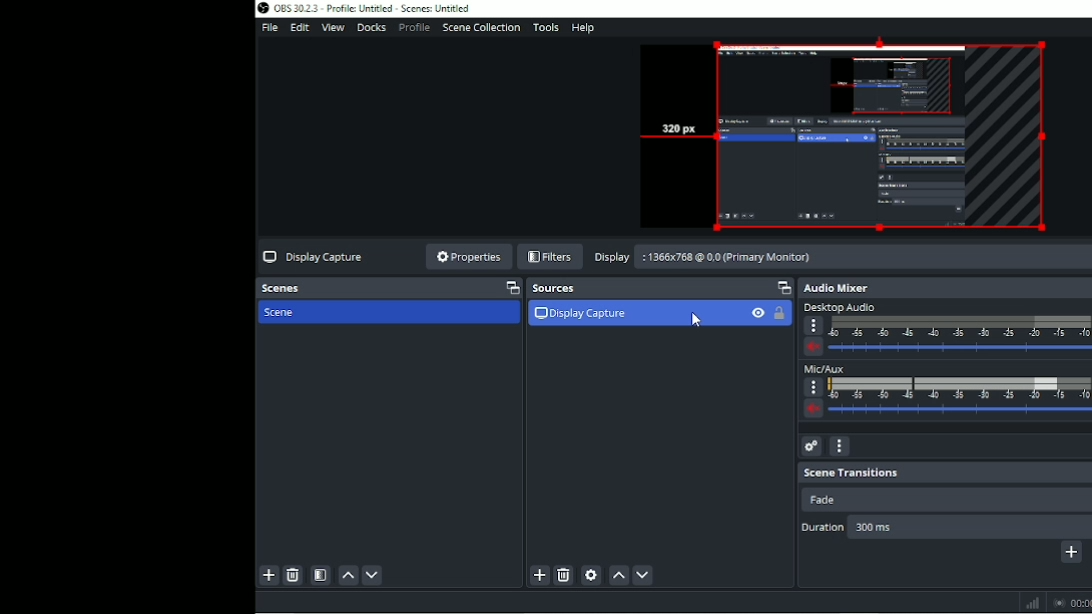  Describe the element at coordinates (550, 257) in the screenshot. I see `Filters` at that location.